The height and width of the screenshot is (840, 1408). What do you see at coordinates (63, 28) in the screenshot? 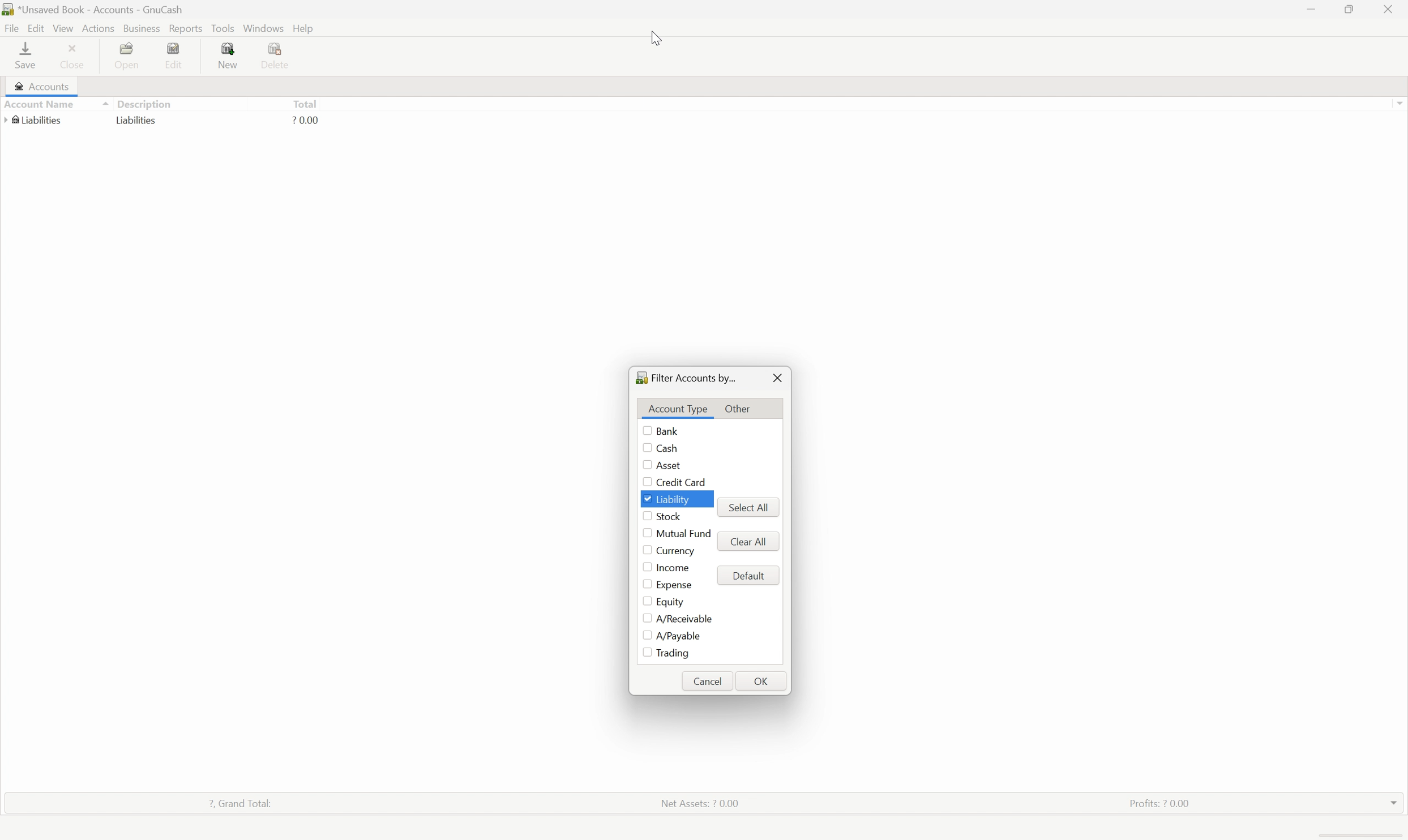
I see `View` at bounding box center [63, 28].